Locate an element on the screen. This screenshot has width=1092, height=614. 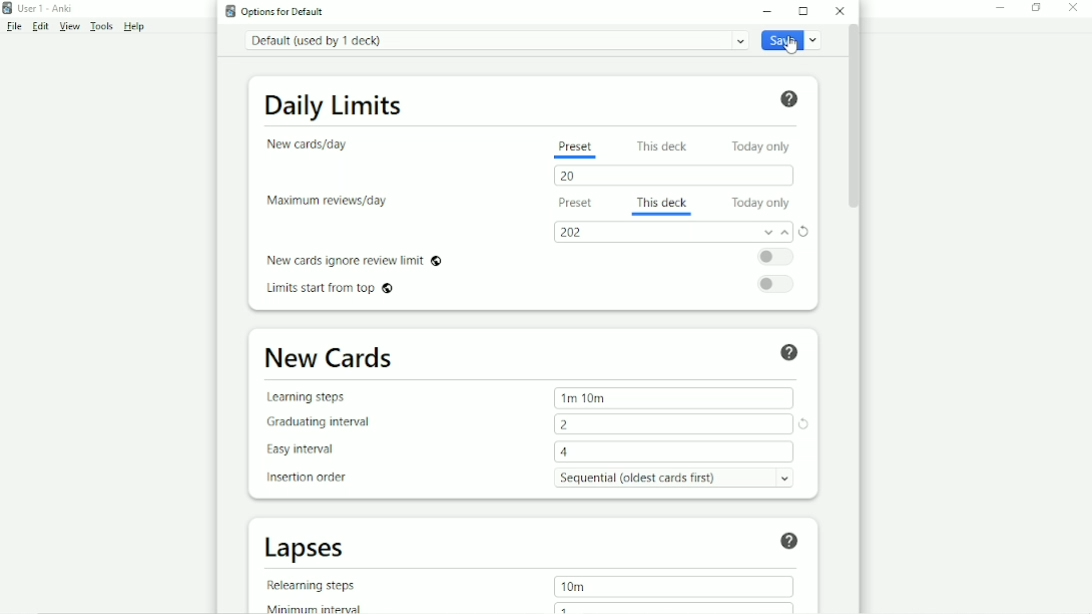
Tools is located at coordinates (103, 27).